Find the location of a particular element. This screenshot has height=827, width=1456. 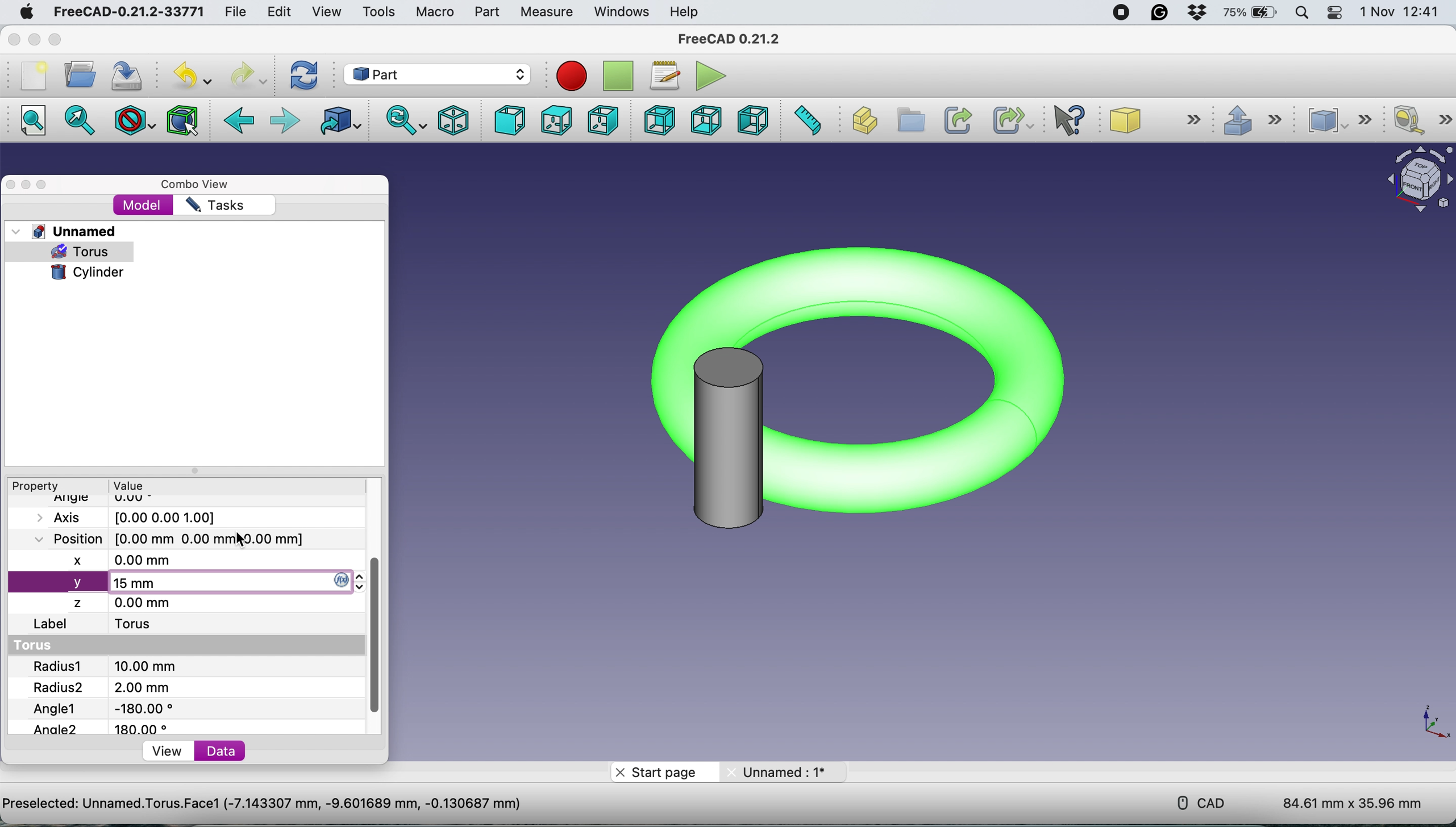

foward is located at coordinates (287, 119).